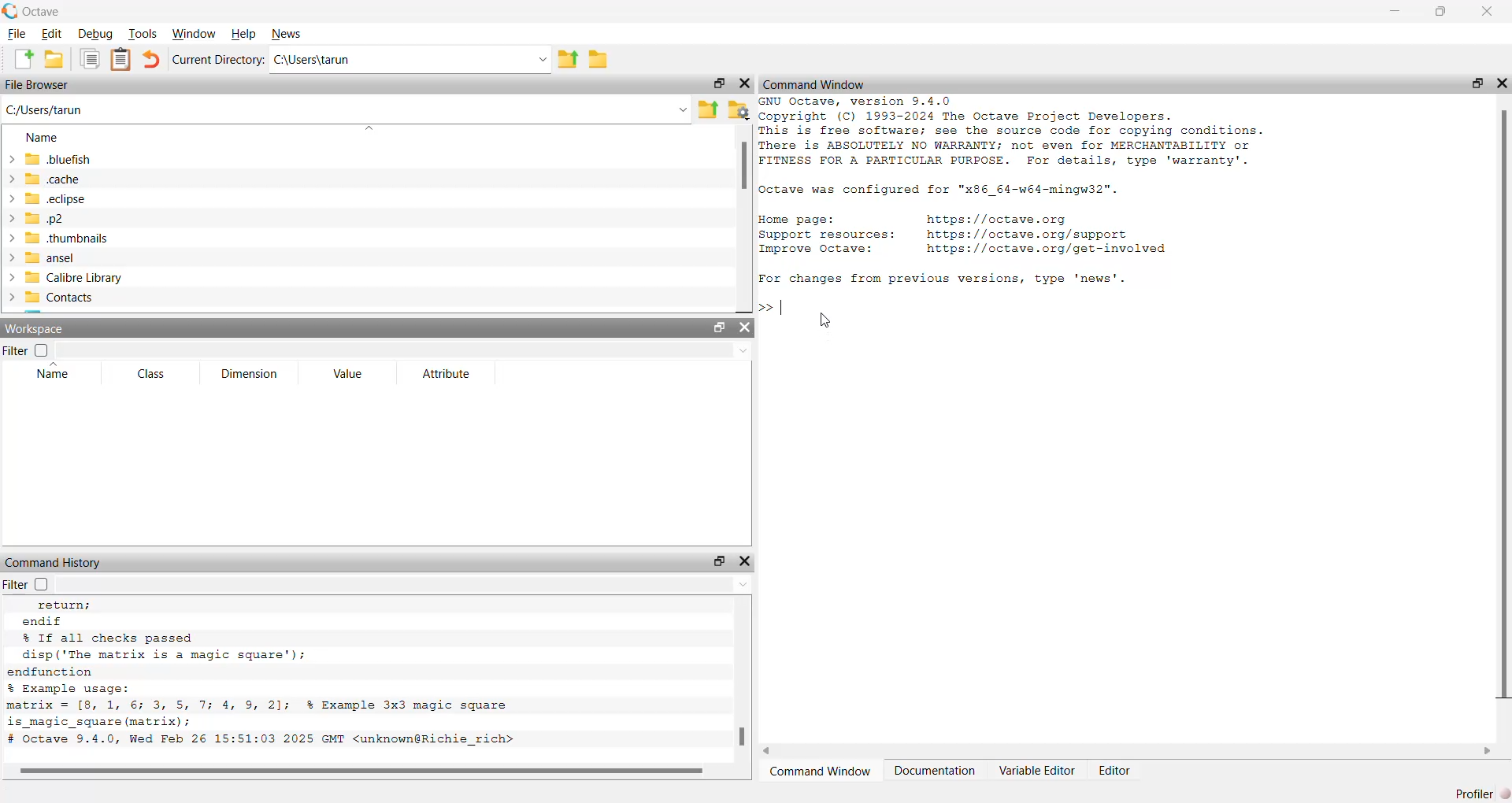 Image resolution: width=1512 pixels, height=803 pixels. Describe the element at coordinates (54, 370) in the screenshot. I see `Name` at that location.